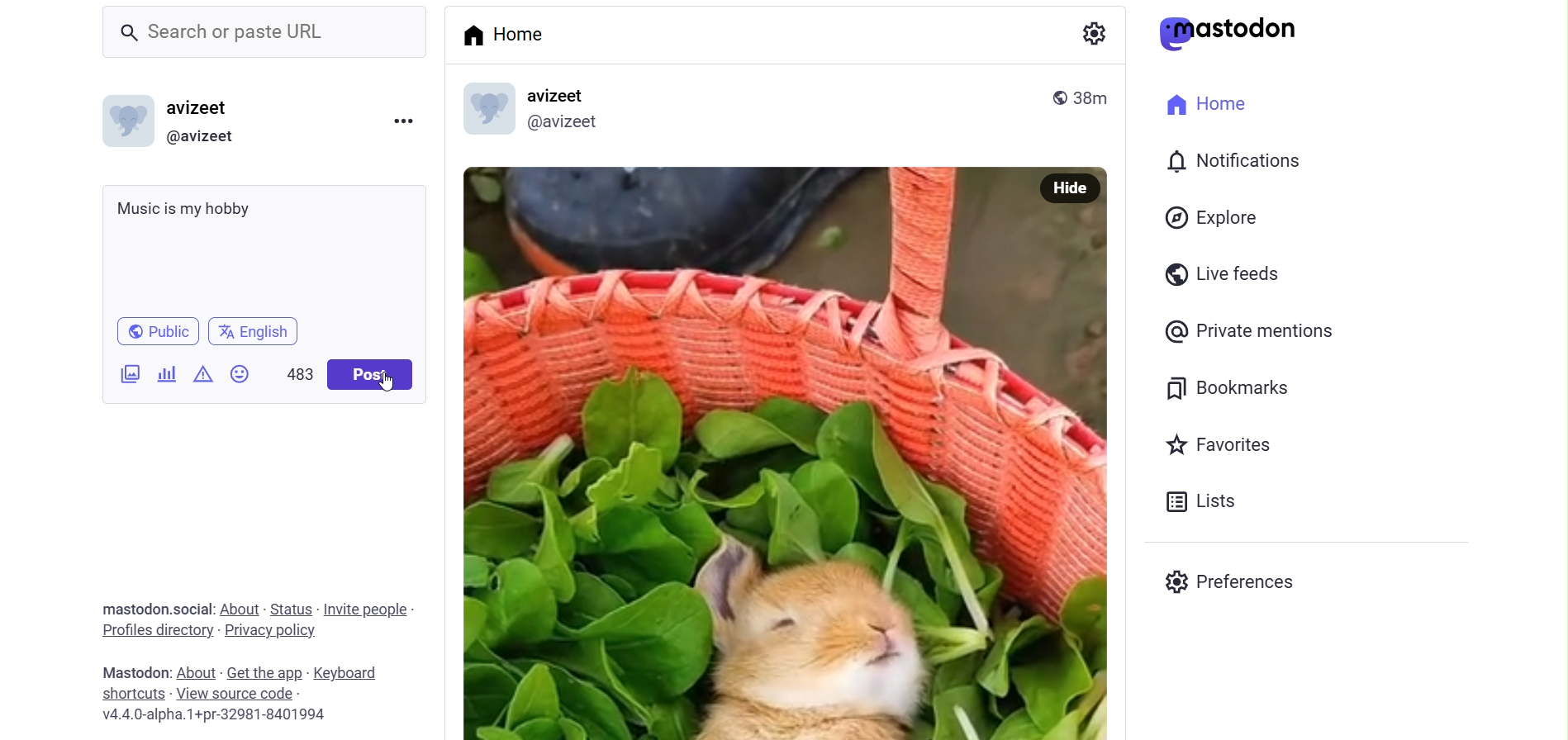 This screenshot has height=740, width=1568. What do you see at coordinates (1221, 443) in the screenshot?
I see `Favorites` at bounding box center [1221, 443].